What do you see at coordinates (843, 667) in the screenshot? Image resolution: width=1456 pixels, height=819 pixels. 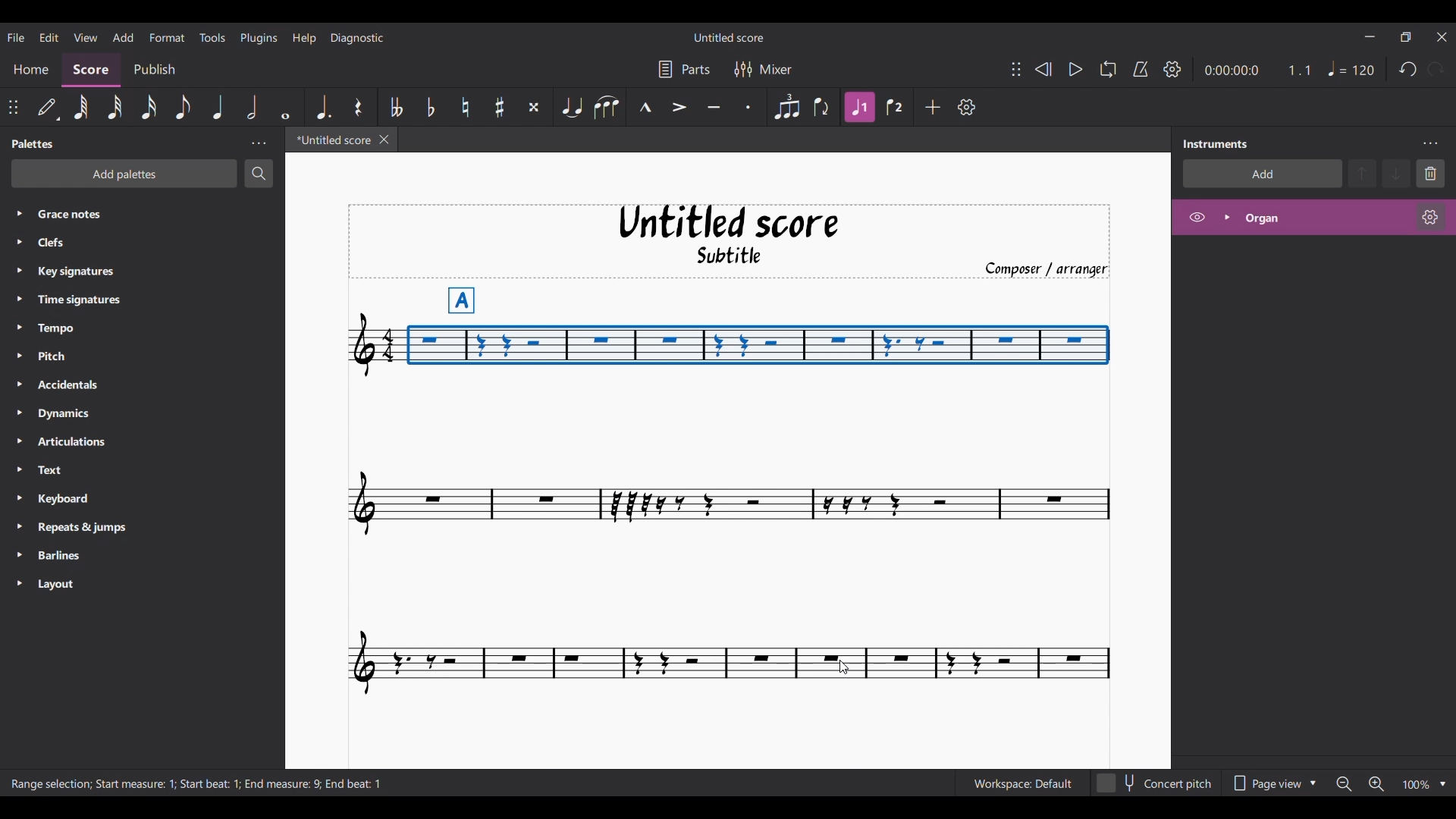 I see `Cursor position unchanged` at bounding box center [843, 667].